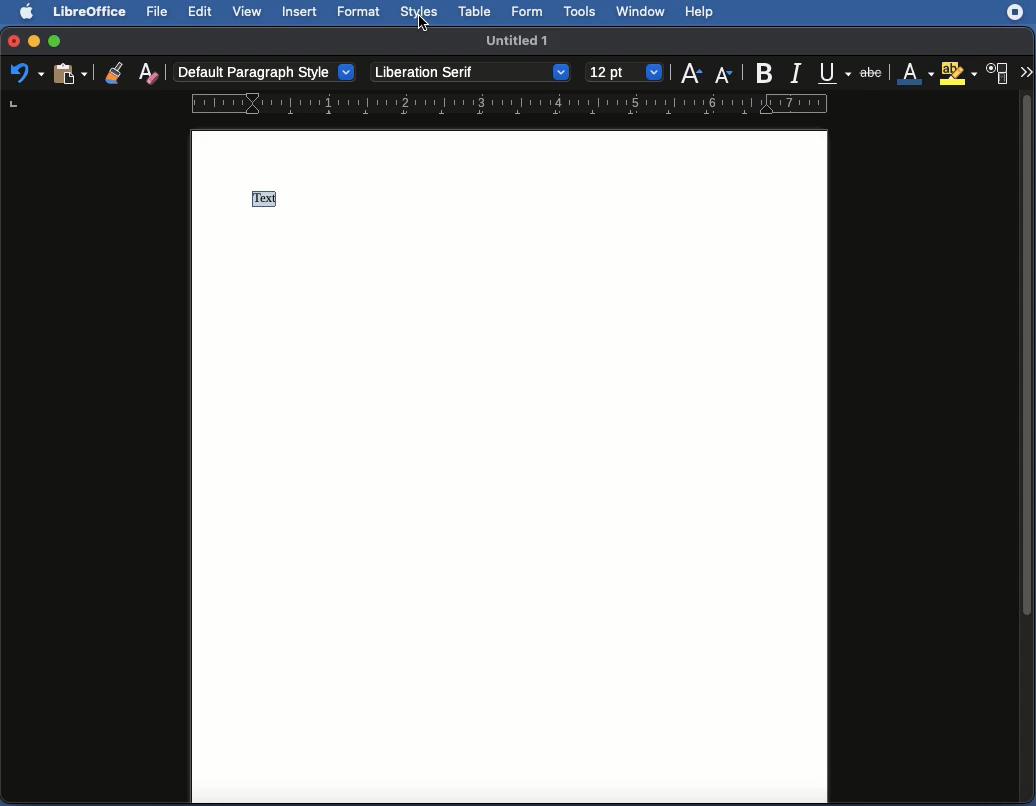  What do you see at coordinates (267, 199) in the screenshot?
I see `Text` at bounding box center [267, 199].